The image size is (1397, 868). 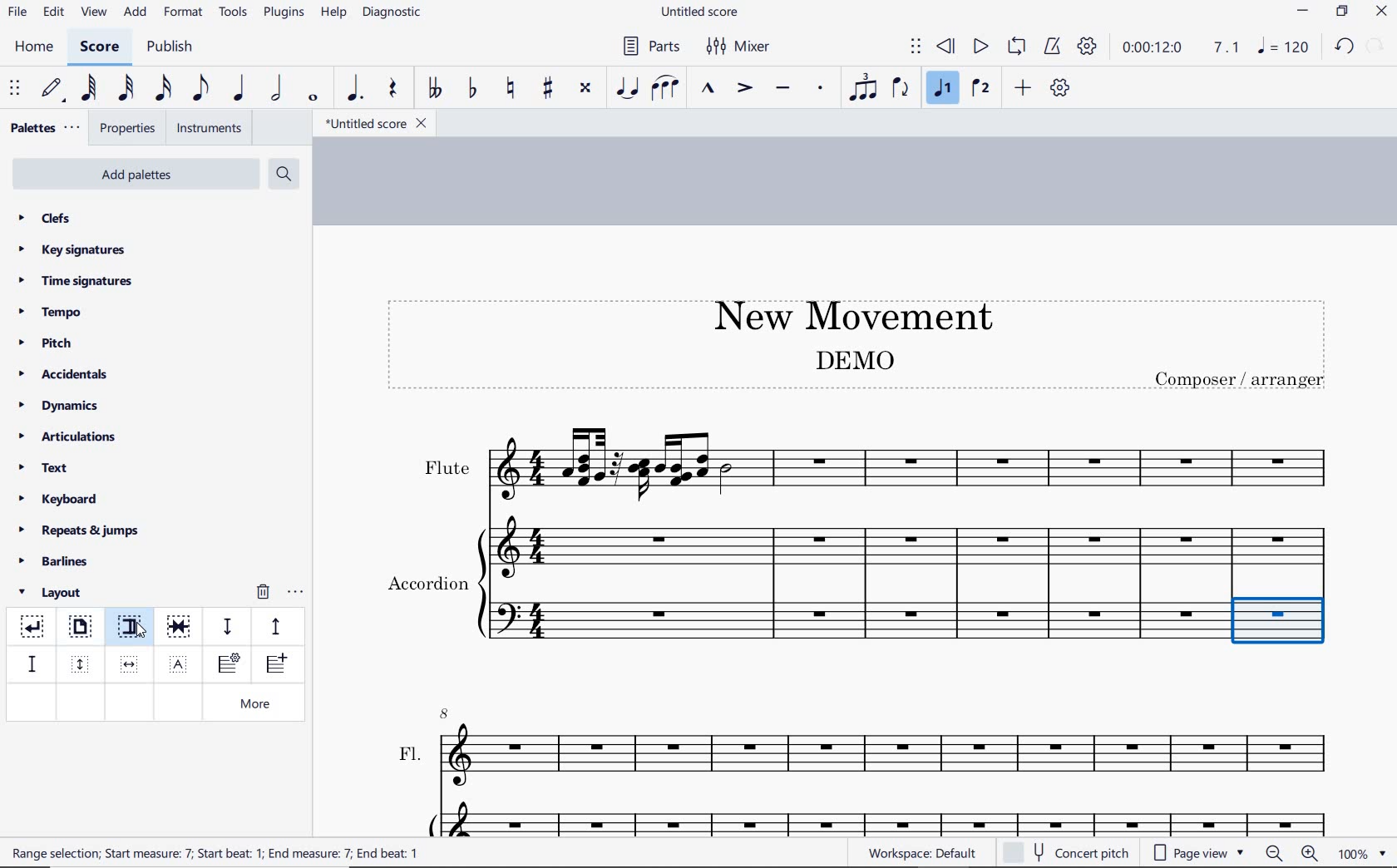 I want to click on redo, so click(x=1344, y=46).